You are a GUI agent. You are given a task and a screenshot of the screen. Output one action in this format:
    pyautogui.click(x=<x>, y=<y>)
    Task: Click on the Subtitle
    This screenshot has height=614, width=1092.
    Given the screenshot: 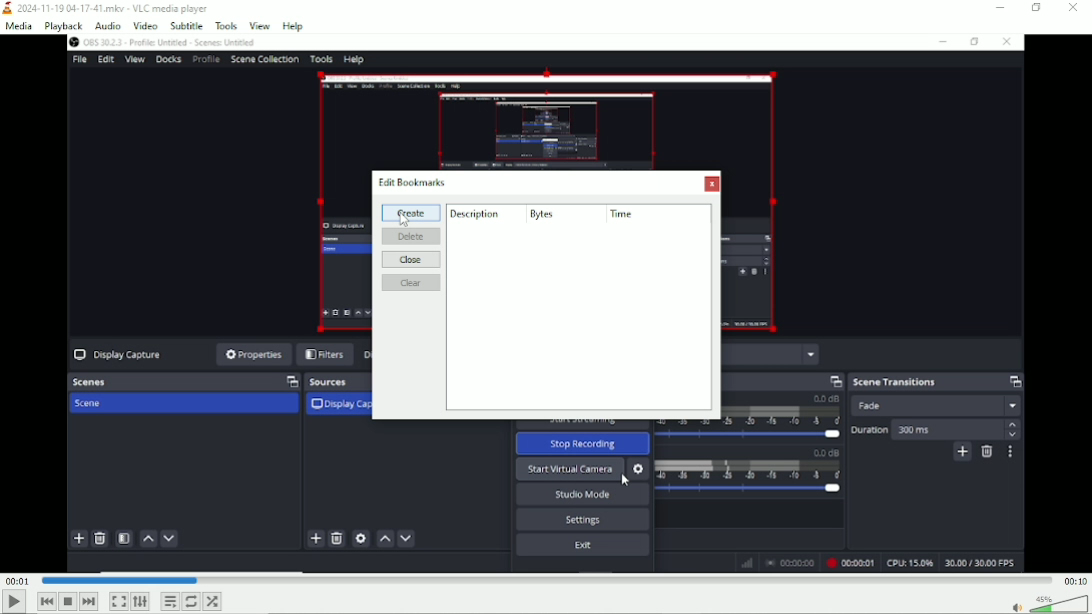 What is the action you would take?
    pyautogui.click(x=186, y=26)
    